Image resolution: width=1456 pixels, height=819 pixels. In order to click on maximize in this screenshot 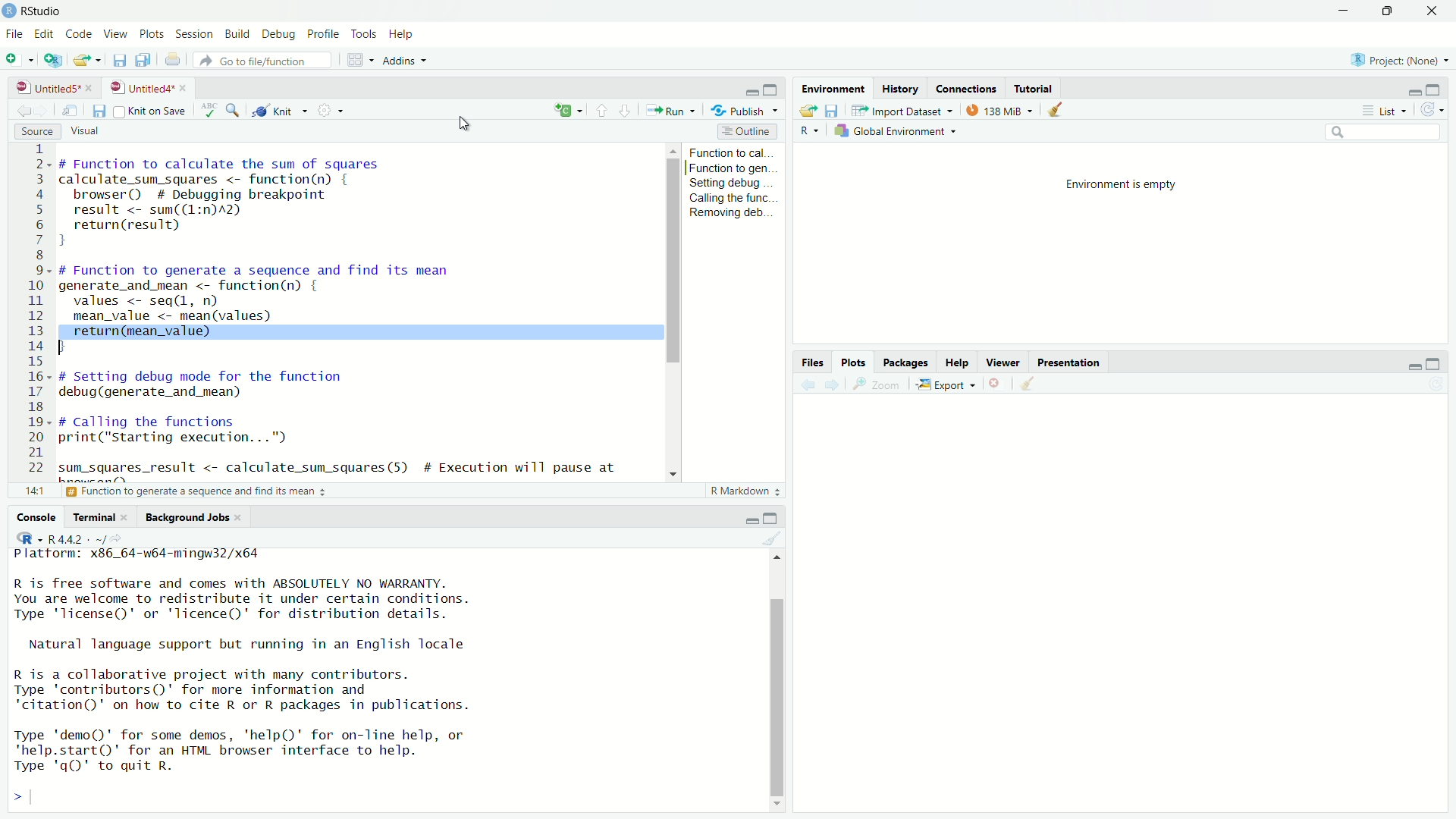, I will do `click(773, 89)`.